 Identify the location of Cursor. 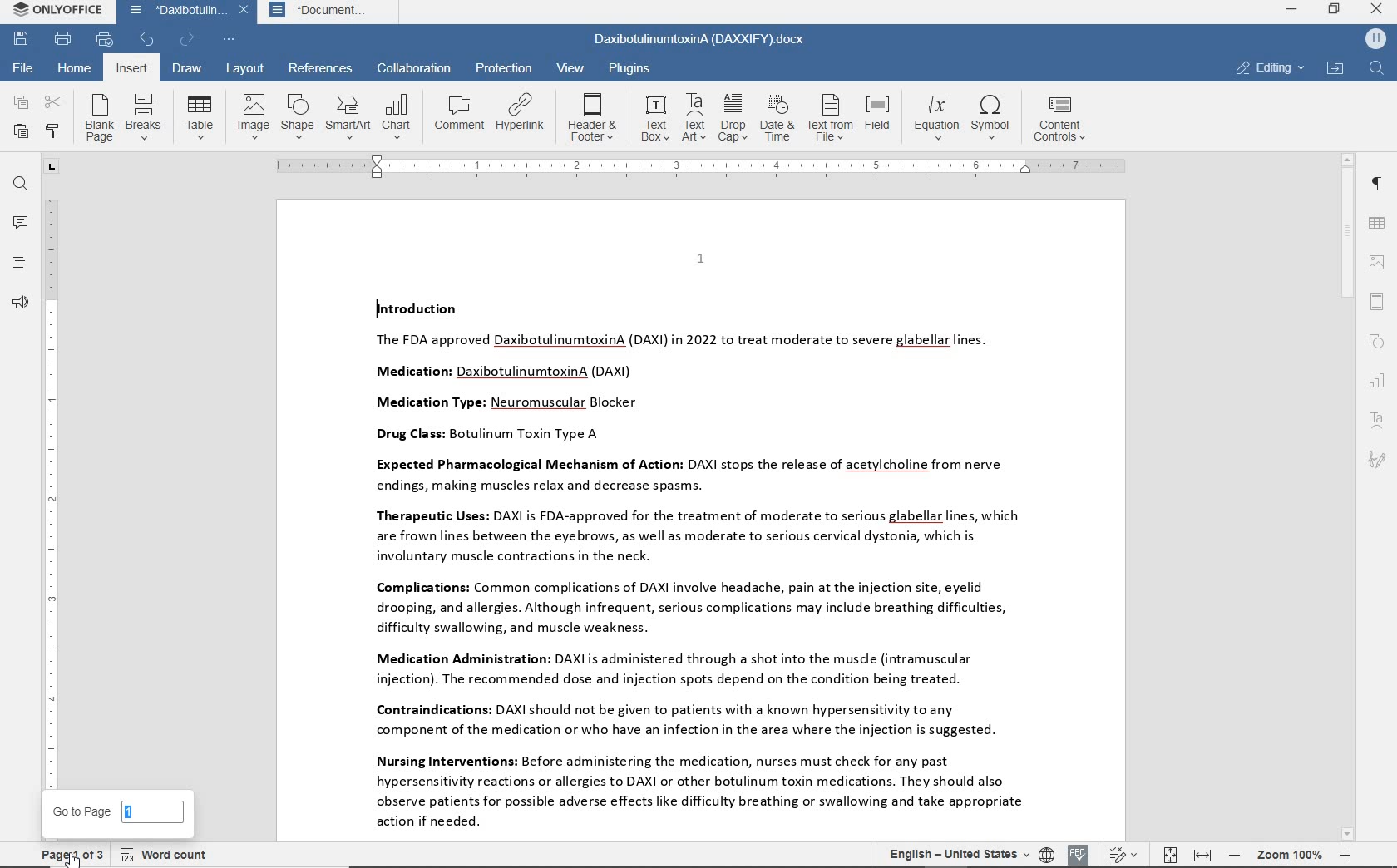
(72, 857).